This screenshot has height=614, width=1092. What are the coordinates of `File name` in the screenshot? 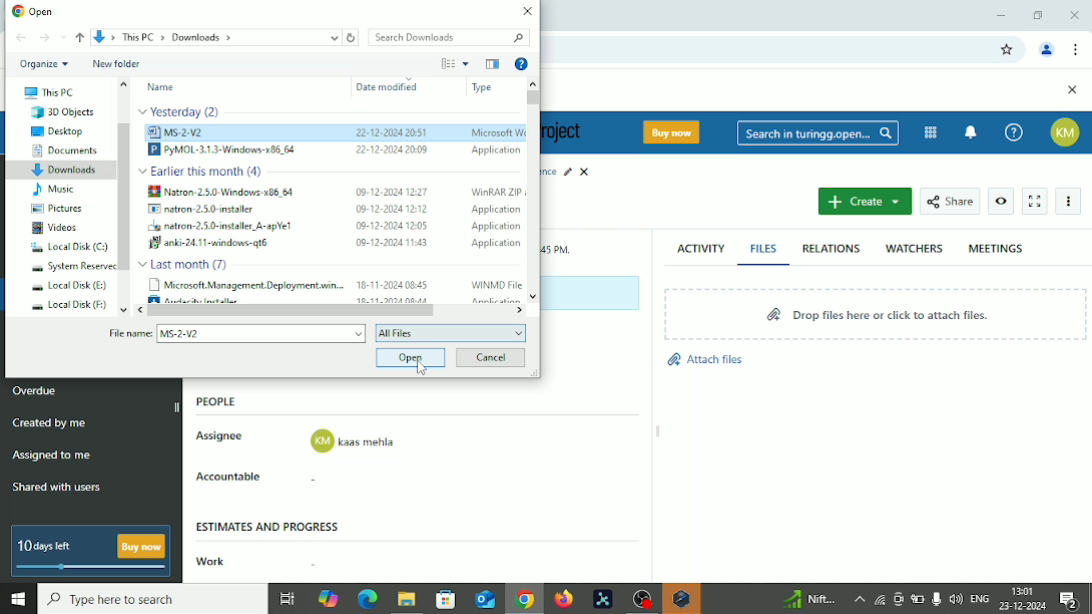 It's located at (262, 334).